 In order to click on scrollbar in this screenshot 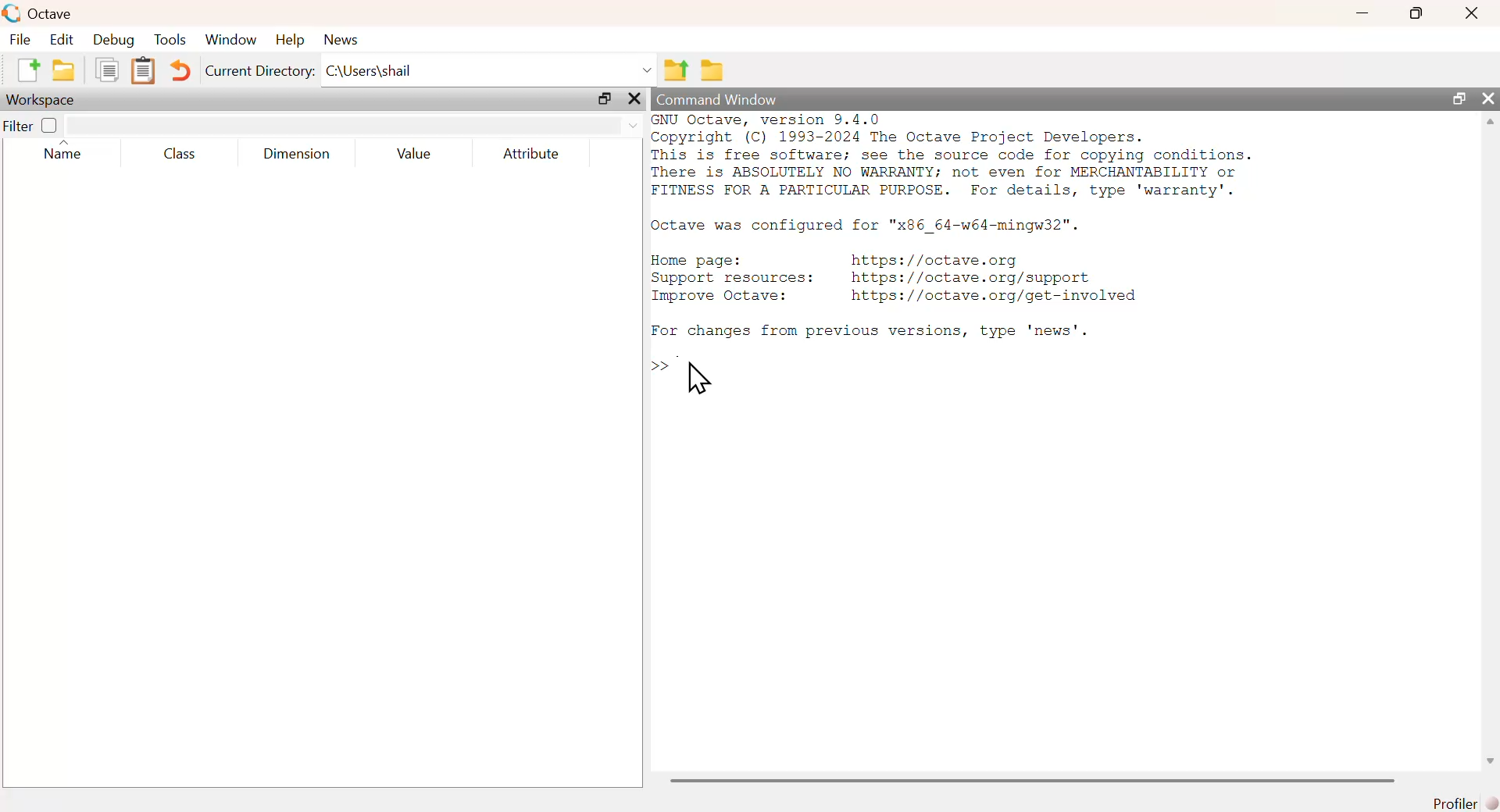, I will do `click(1033, 781)`.